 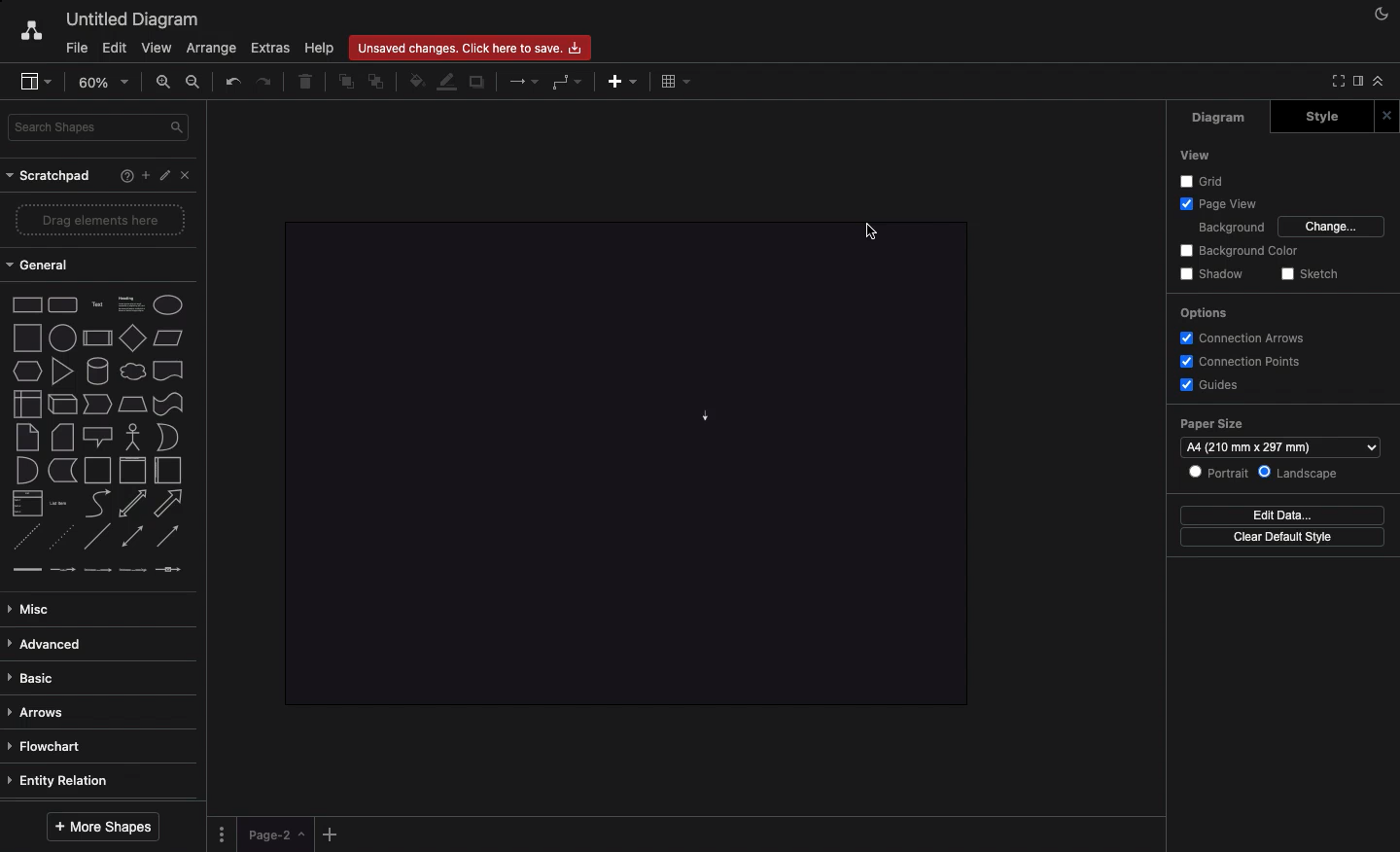 What do you see at coordinates (1239, 361) in the screenshot?
I see `Connection points` at bounding box center [1239, 361].